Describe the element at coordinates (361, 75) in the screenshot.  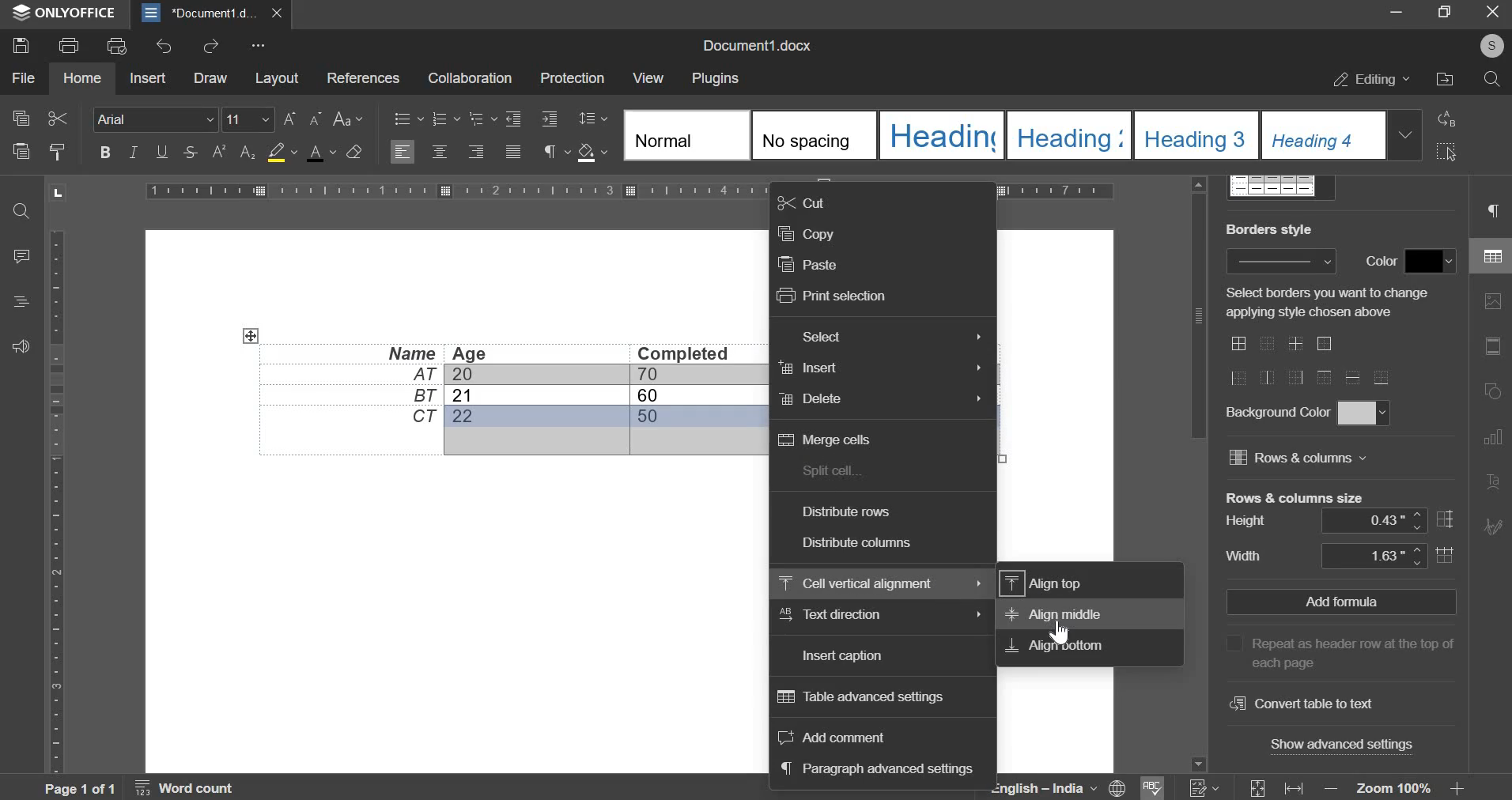
I see `references` at that location.